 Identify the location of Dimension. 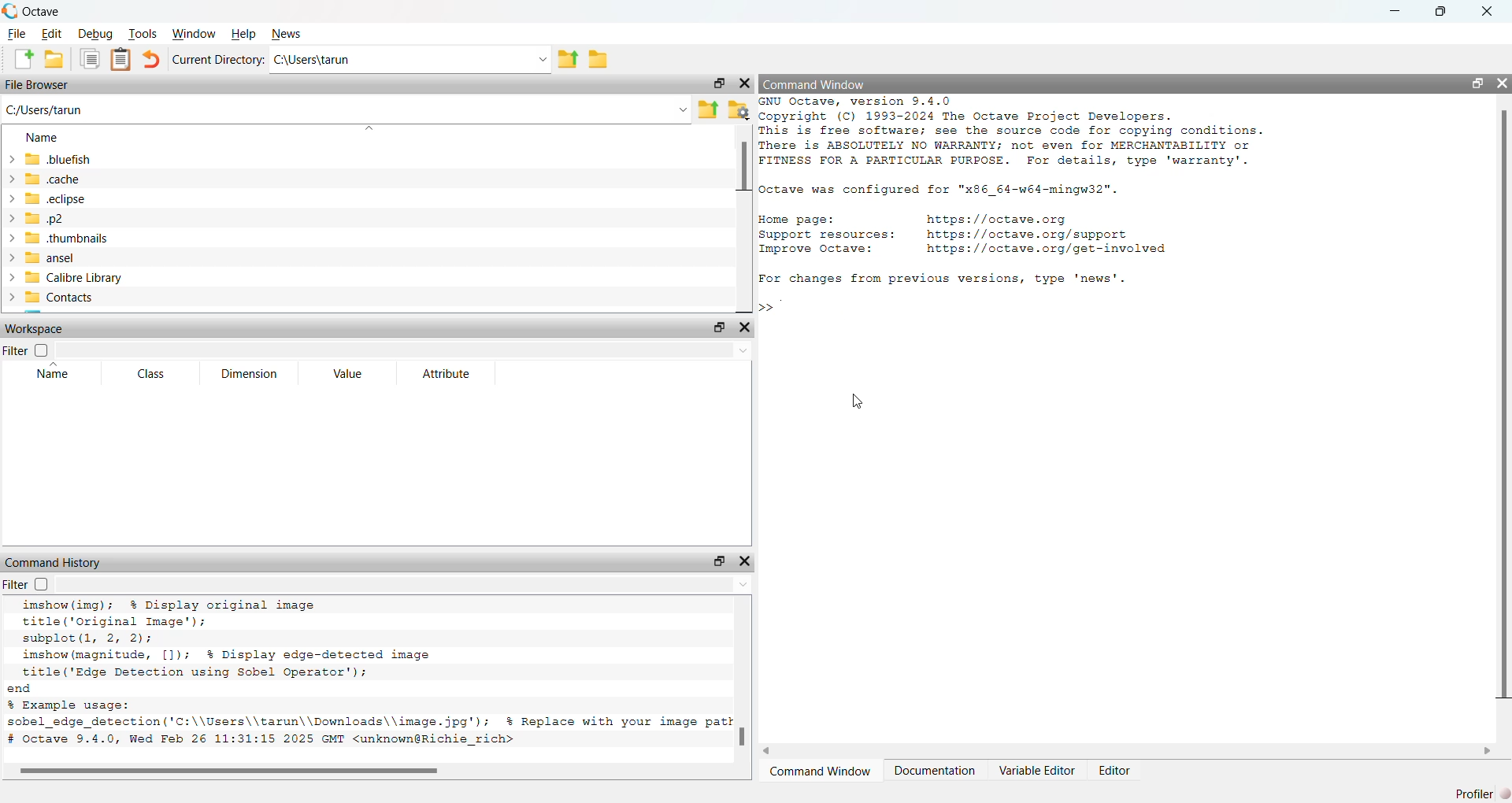
(252, 372).